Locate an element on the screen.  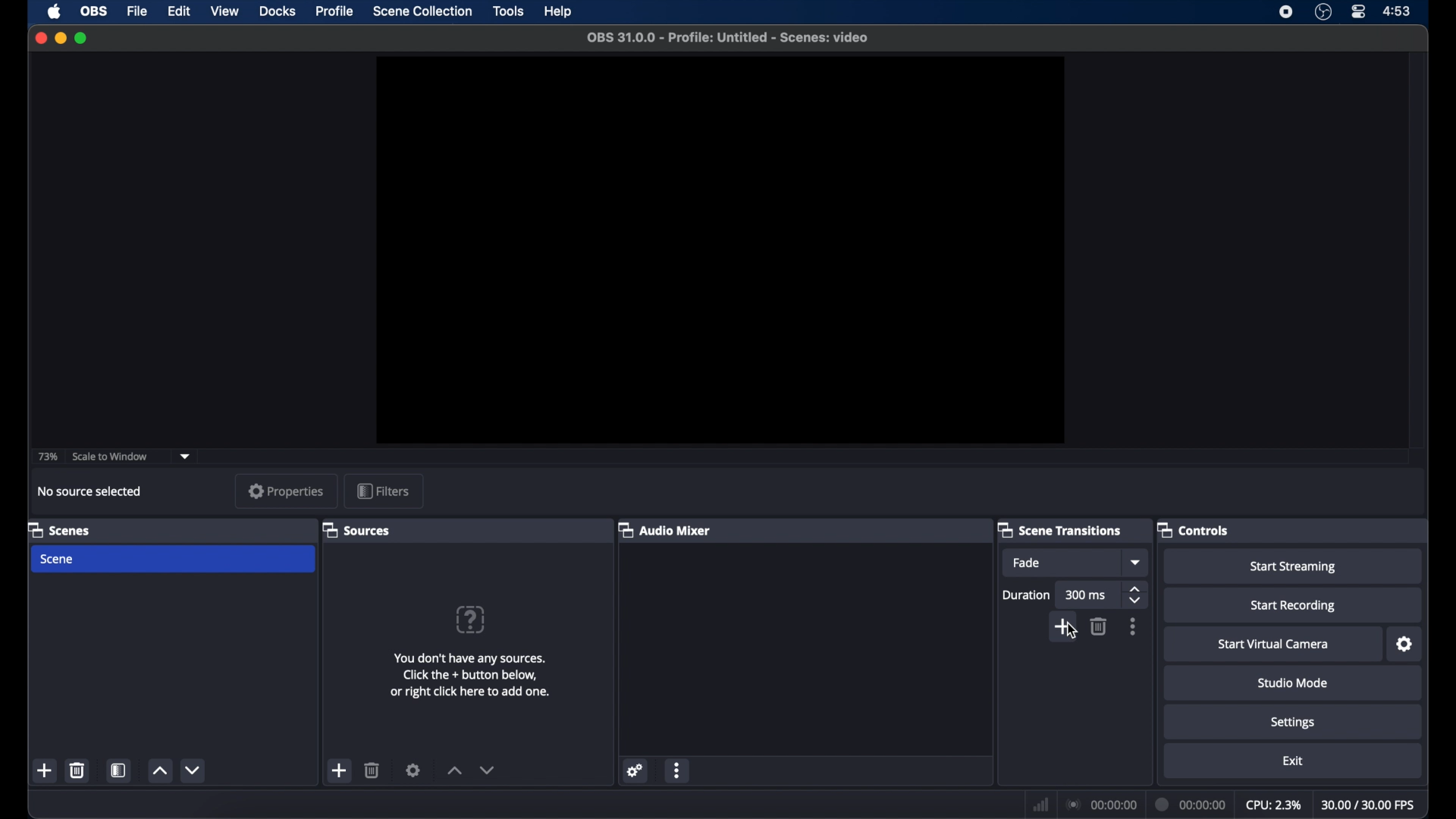
cpu is located at coordinates (1272, 804).